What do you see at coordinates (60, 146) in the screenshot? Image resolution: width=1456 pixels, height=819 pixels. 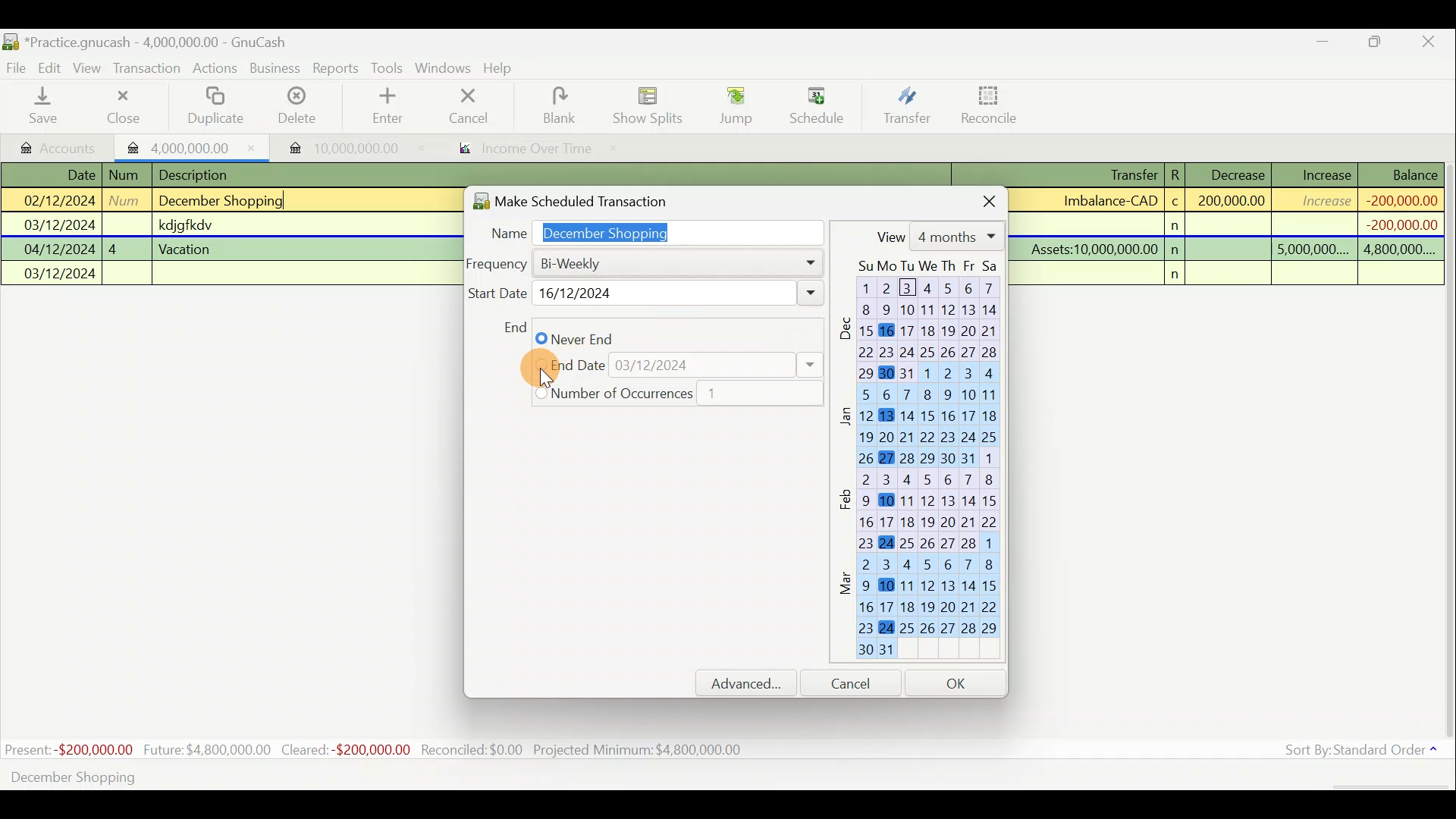 I see `Accounts` at bounding box center [60, 146].